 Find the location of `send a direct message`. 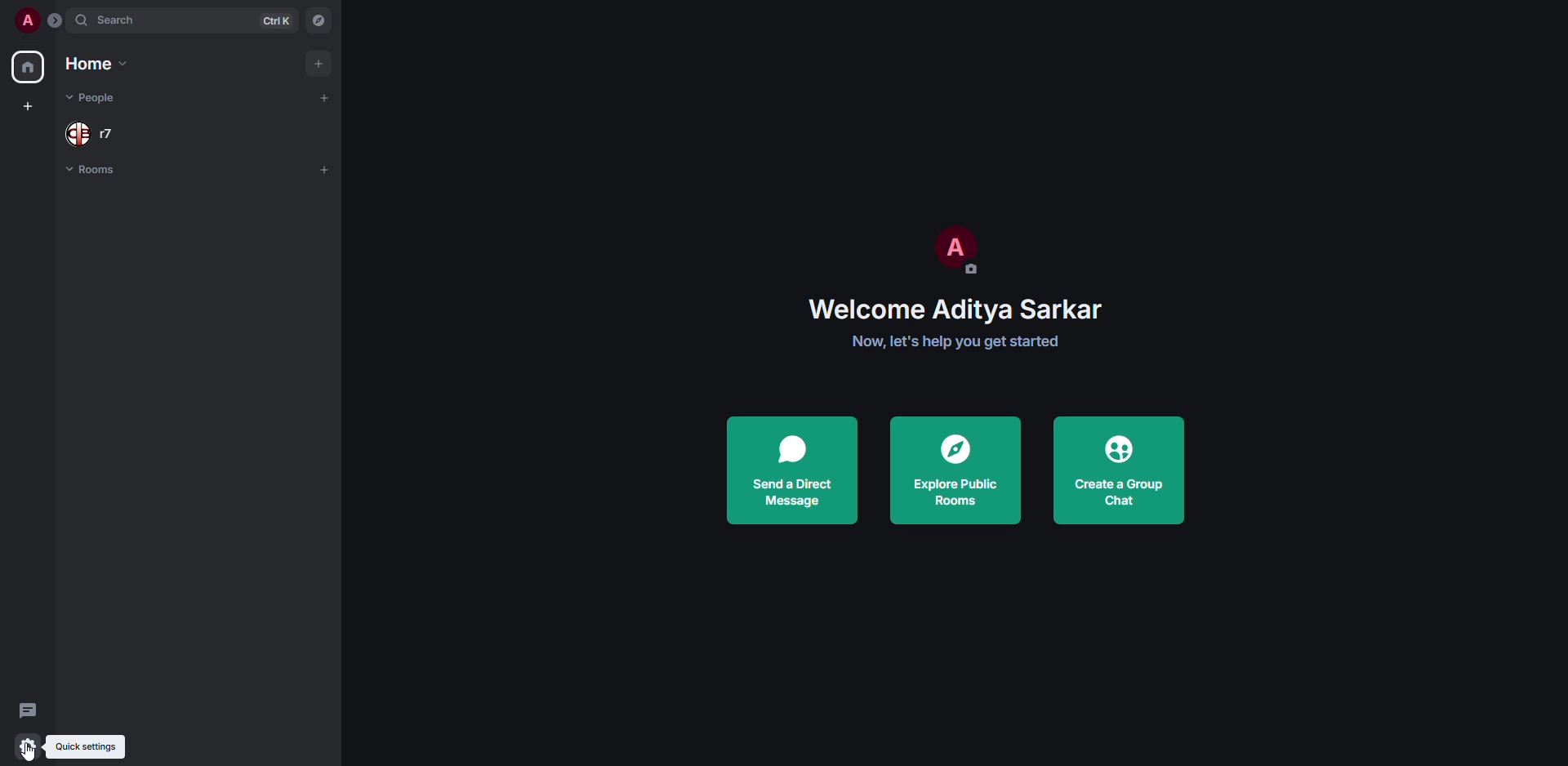

send a direct message is located at coordinates (791, 470).